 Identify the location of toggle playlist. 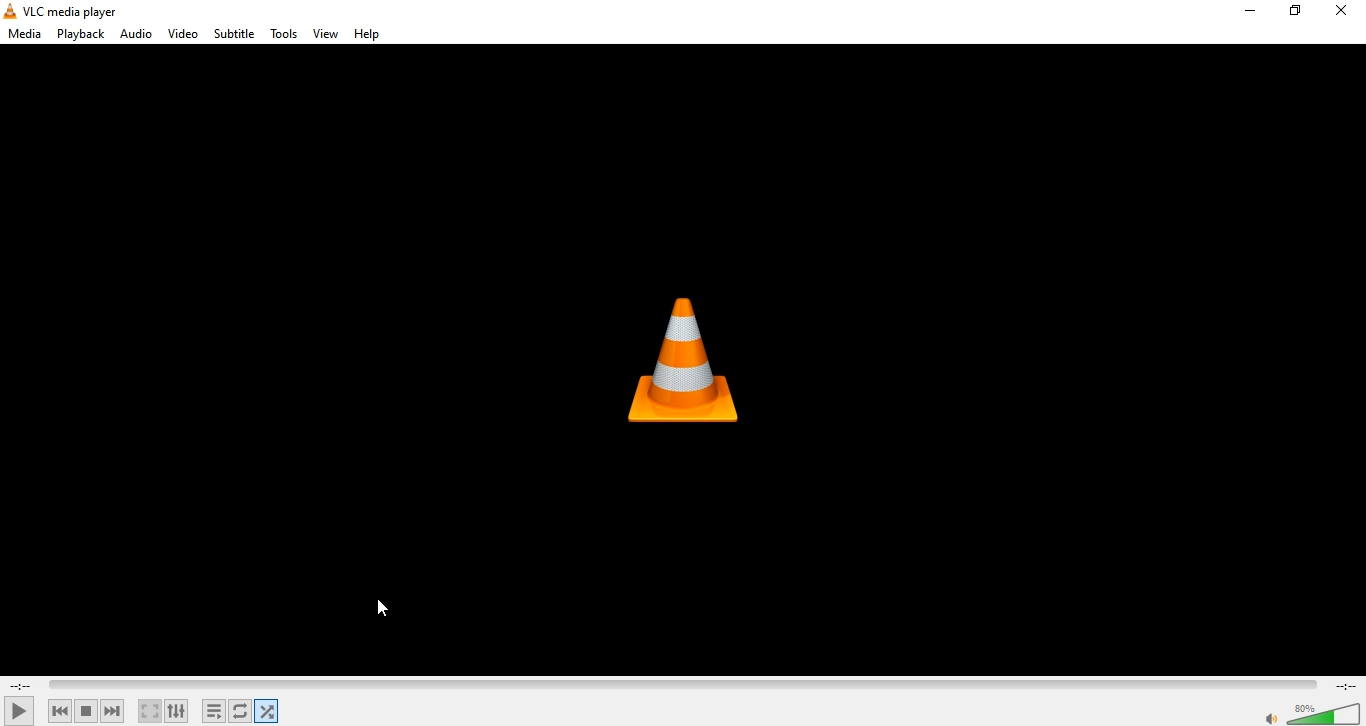
(215, 710).